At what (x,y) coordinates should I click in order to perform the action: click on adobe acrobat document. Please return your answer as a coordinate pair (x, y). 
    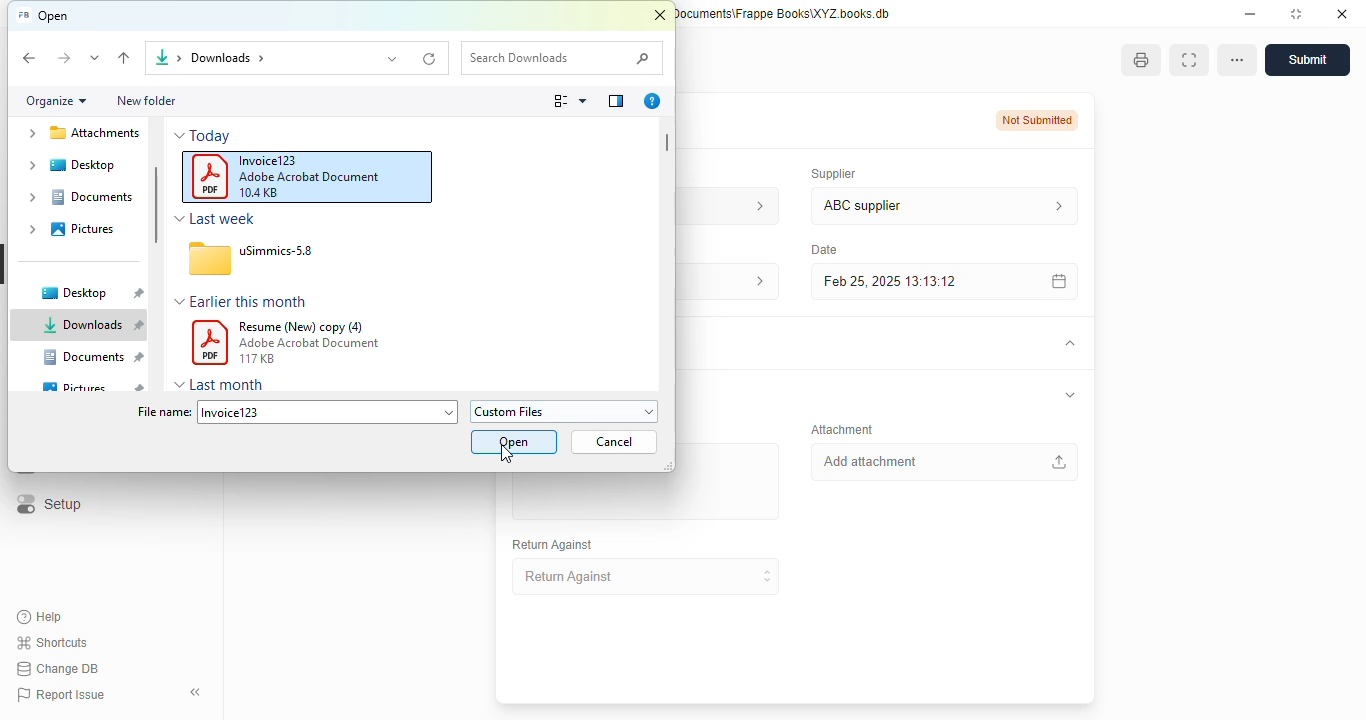
    Looking at the image, I should click on (310, 343).